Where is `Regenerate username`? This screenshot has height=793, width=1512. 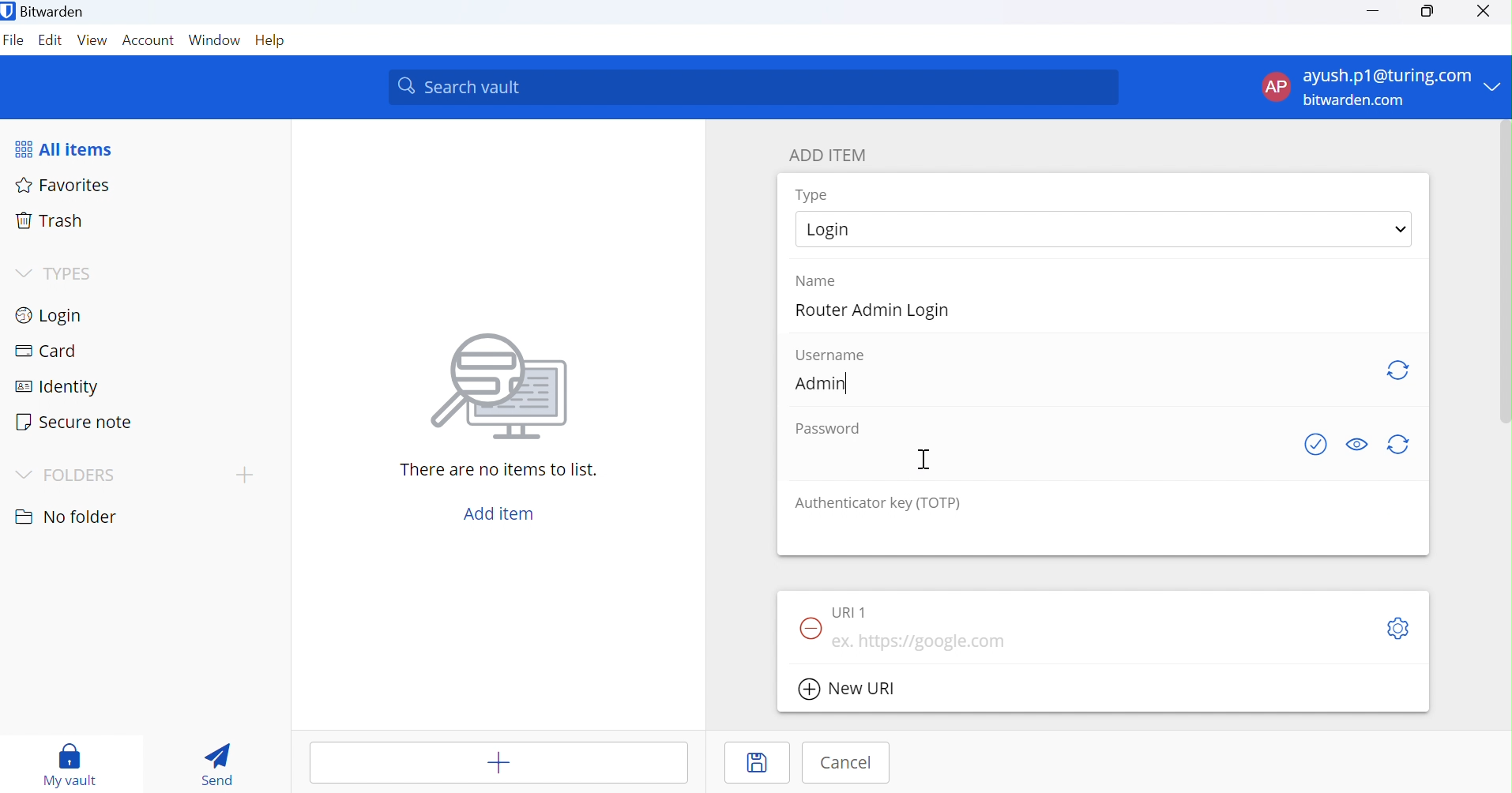
Regenerate username is located at coordinates (1397, 371).